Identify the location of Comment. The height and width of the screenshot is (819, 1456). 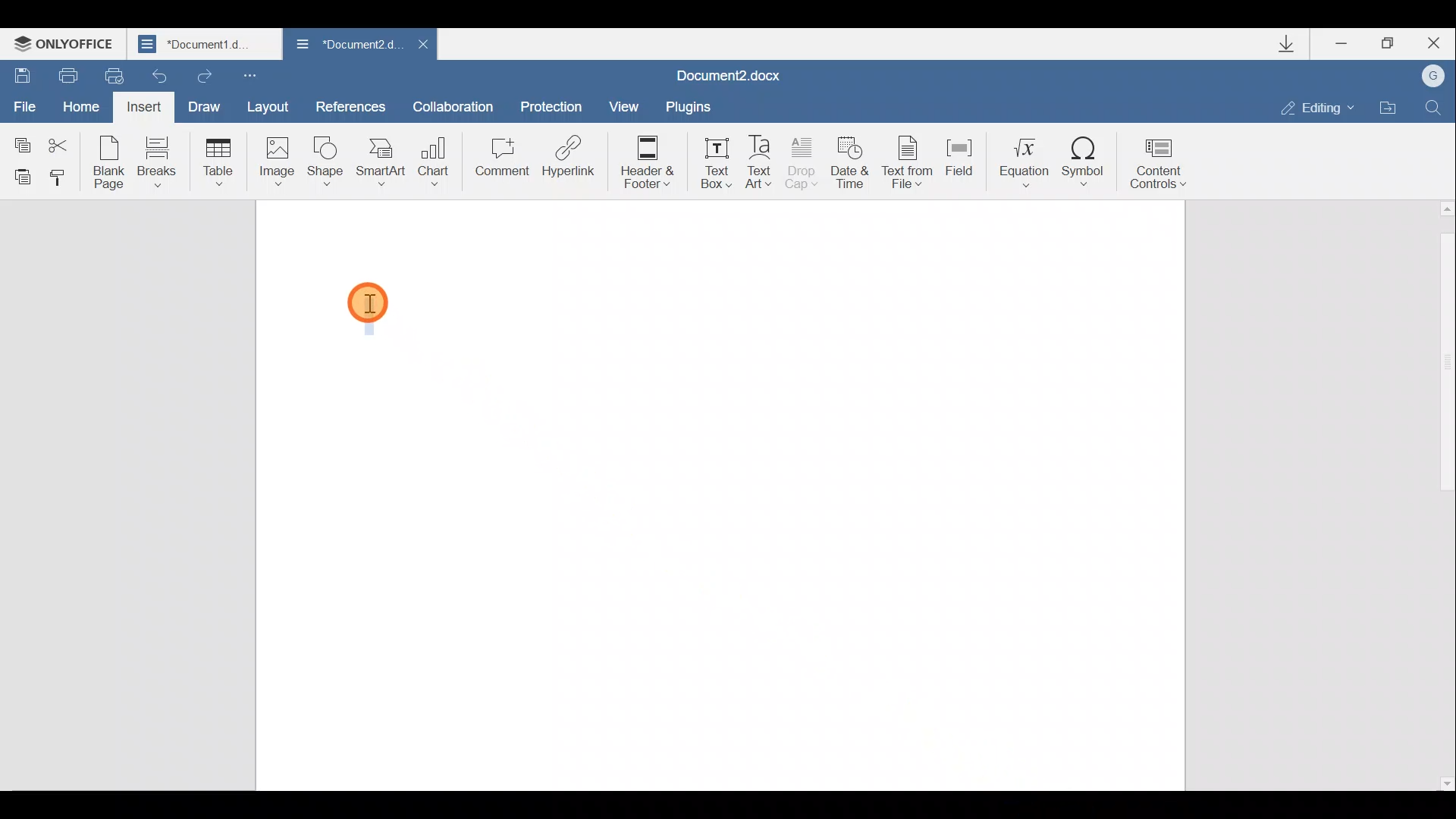
(501, 159).